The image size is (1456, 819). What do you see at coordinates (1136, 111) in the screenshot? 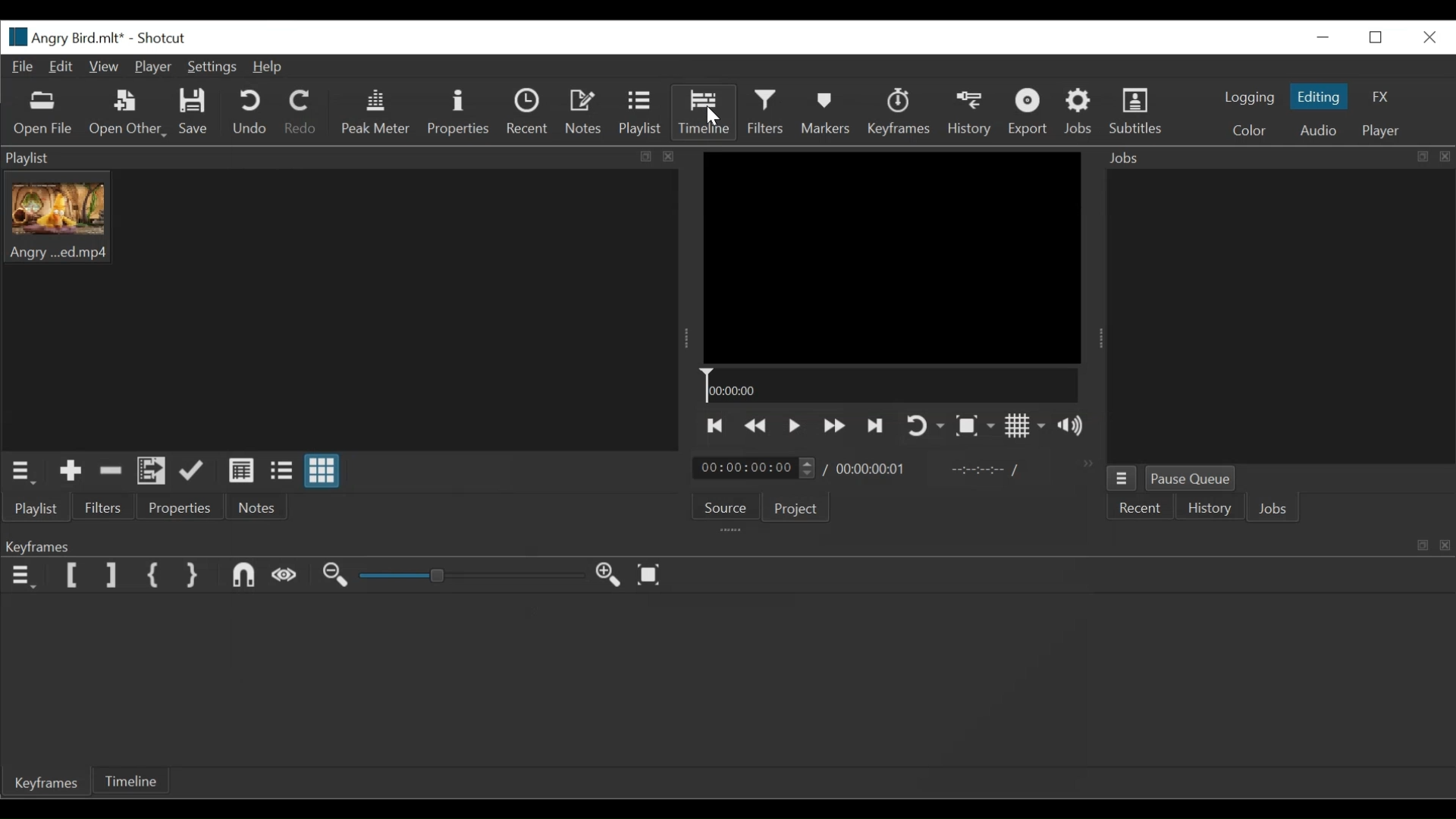
I see `Subtitles` at bounding box center [1136, 111].